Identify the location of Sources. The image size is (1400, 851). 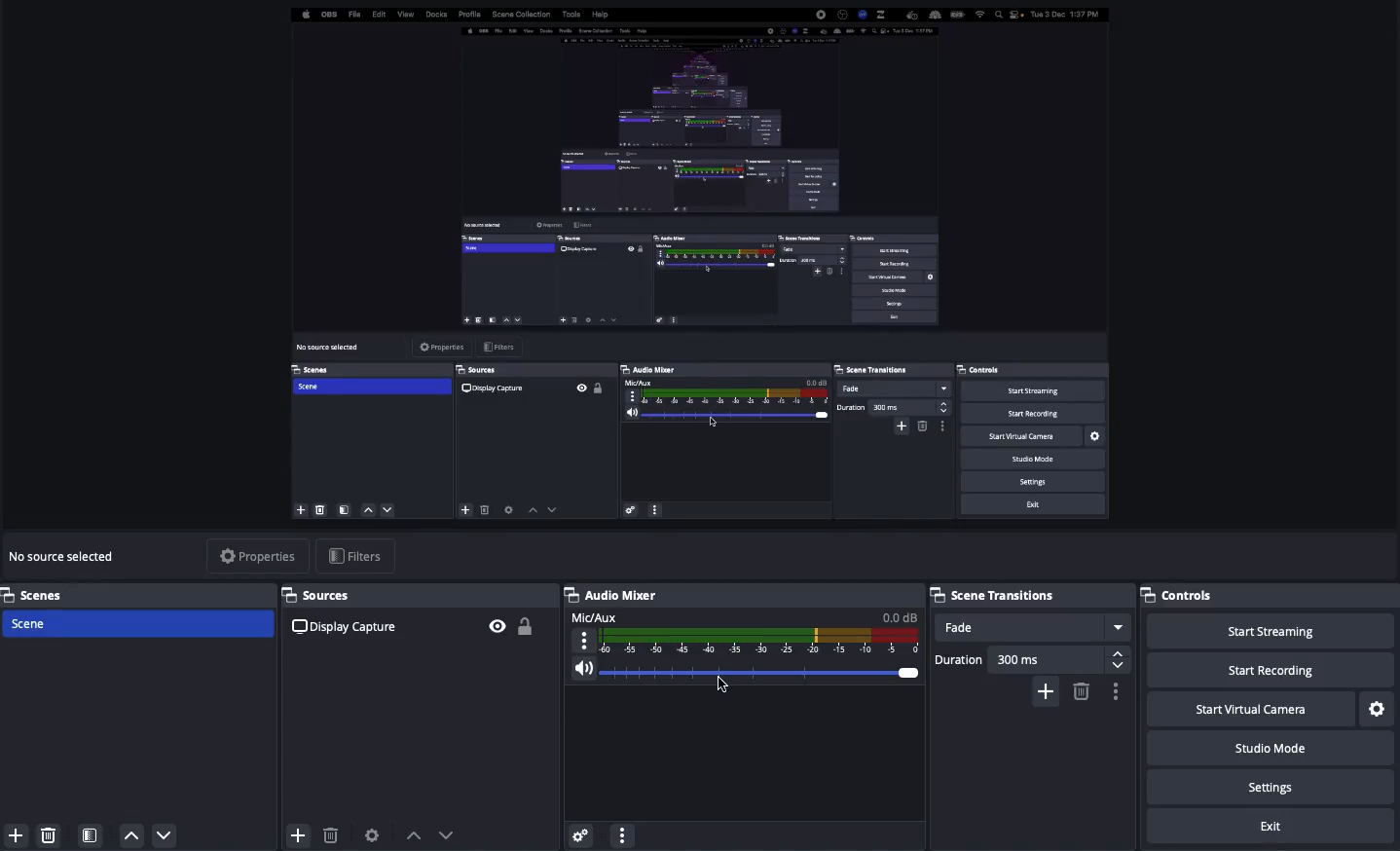
(317, 595).